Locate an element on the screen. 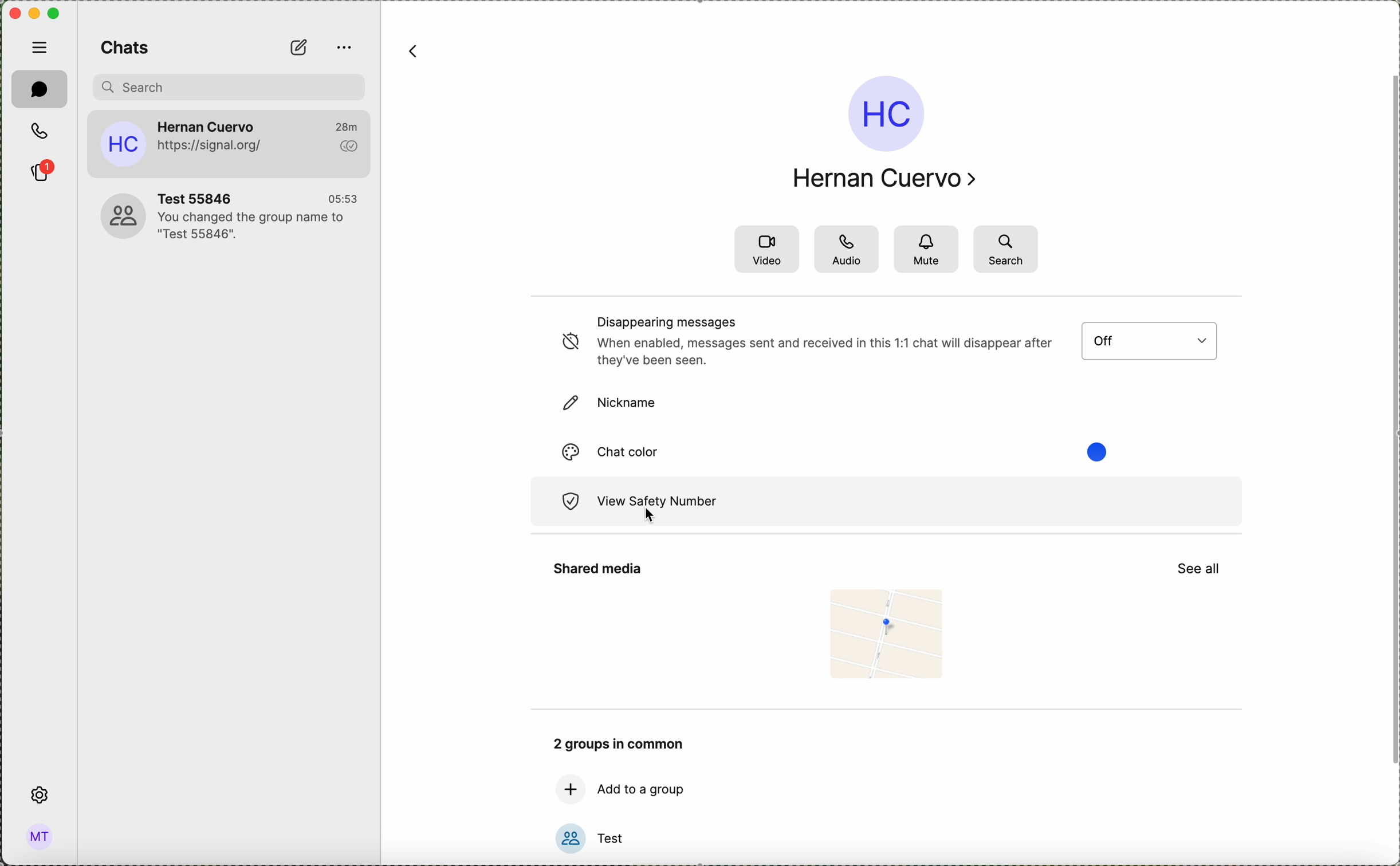 The image size is (1400, 866). Test 55846 is located at coordinates (202, 195).